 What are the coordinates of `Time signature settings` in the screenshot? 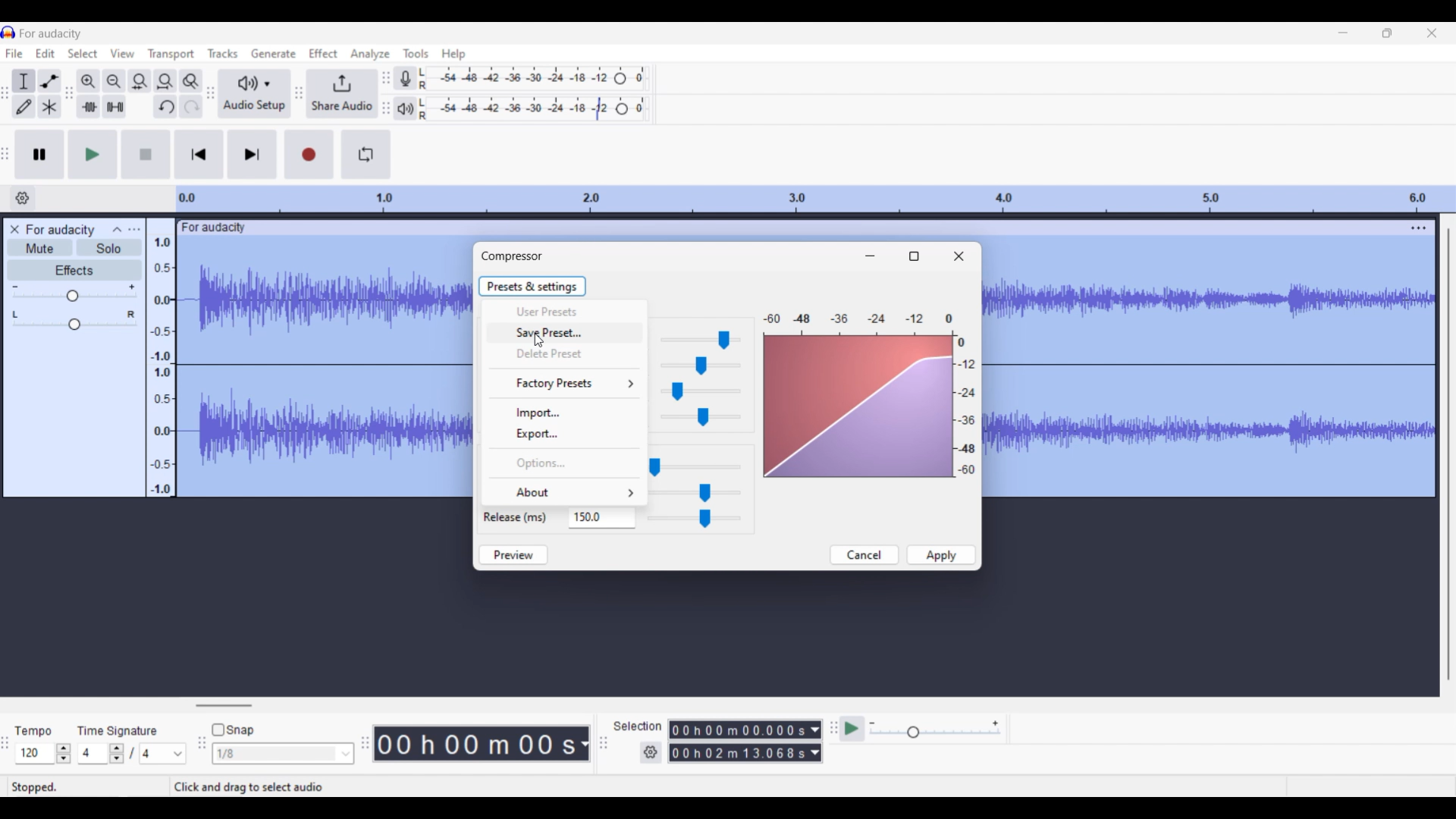 It's located at (133, 753).